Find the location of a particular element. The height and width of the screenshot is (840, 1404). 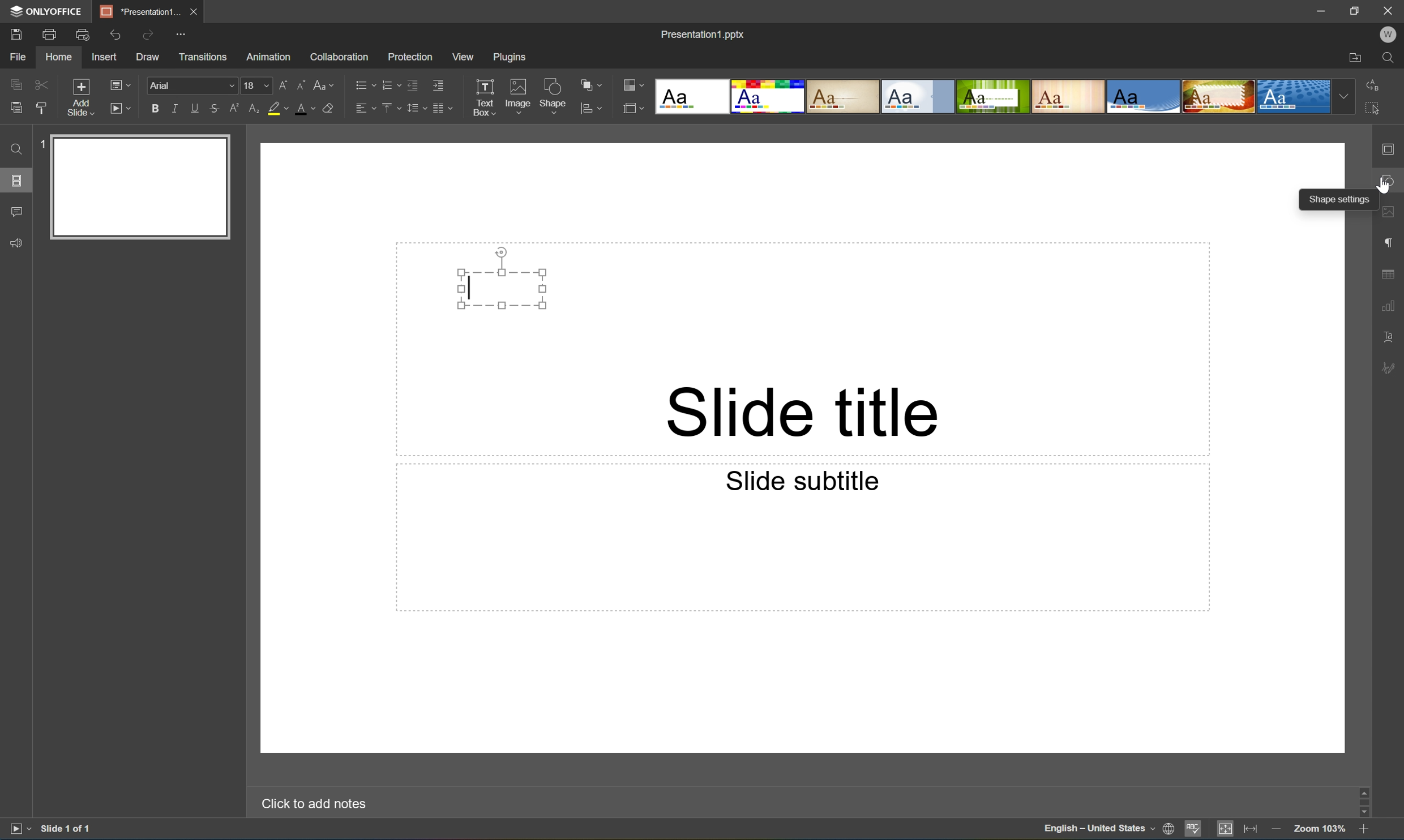

1 is located at coordinates (45, 142).